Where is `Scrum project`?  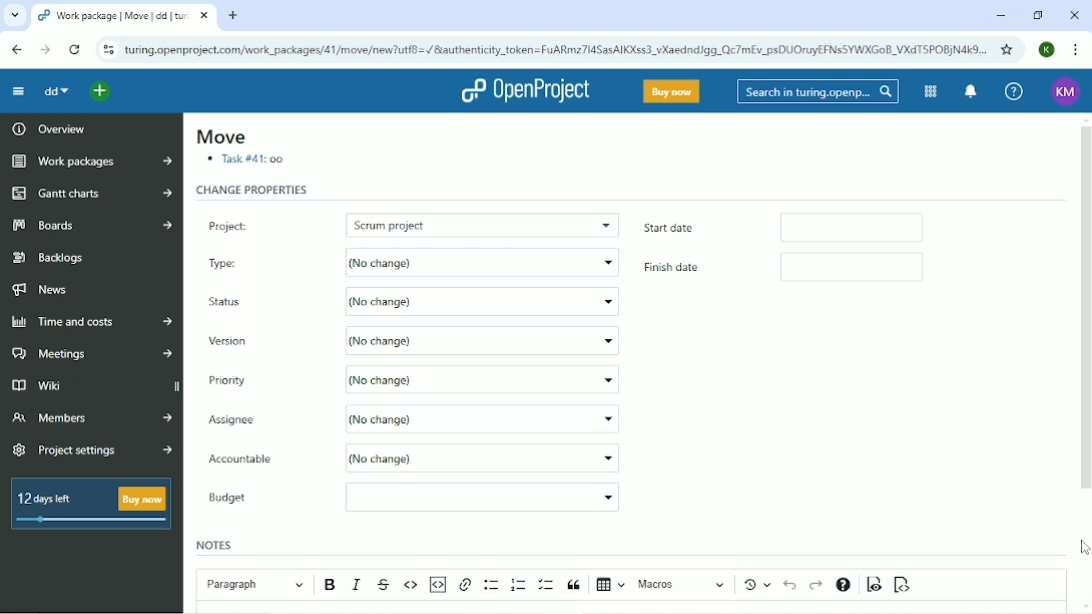 Scrum project is located at coordinates (484, 223).